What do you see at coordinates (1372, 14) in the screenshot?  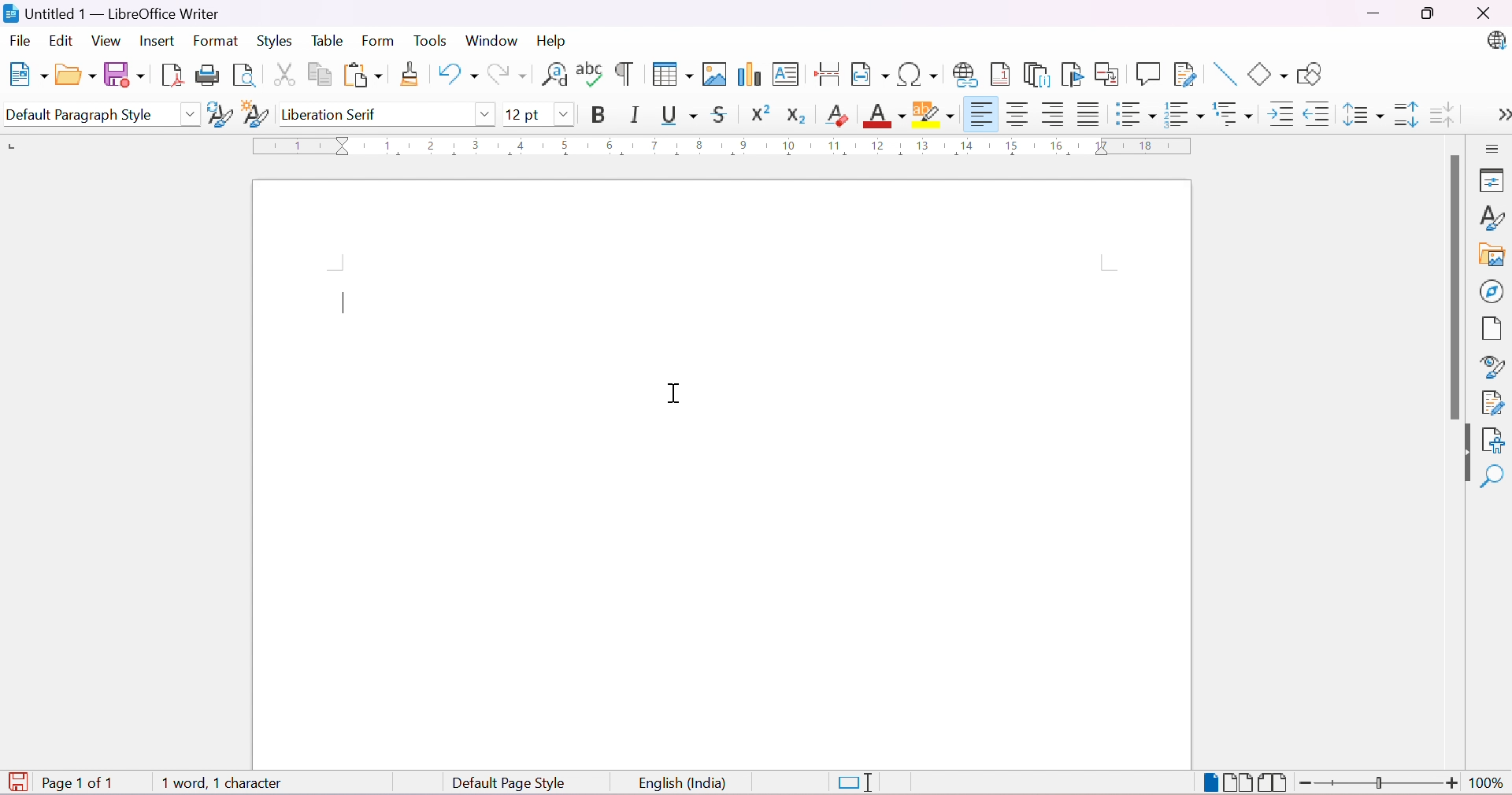 I see `Minimize` at bounding box center [1372, 14].